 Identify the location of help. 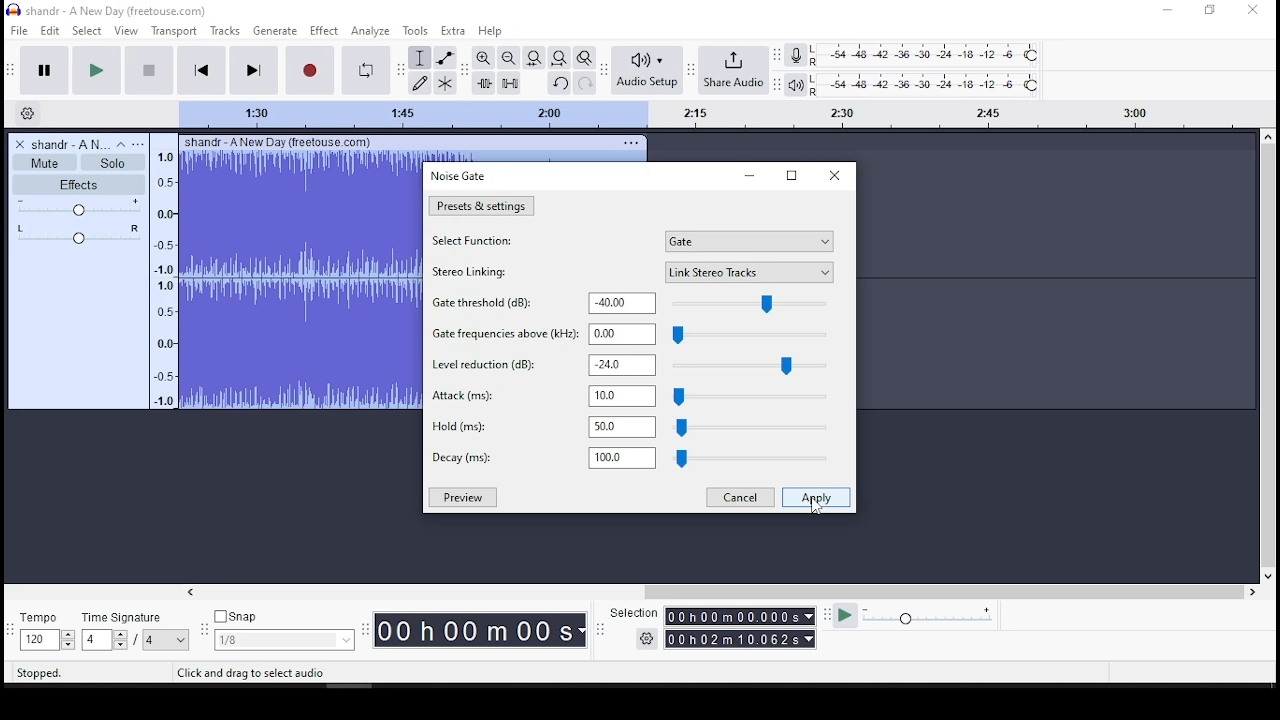
(489, 30).